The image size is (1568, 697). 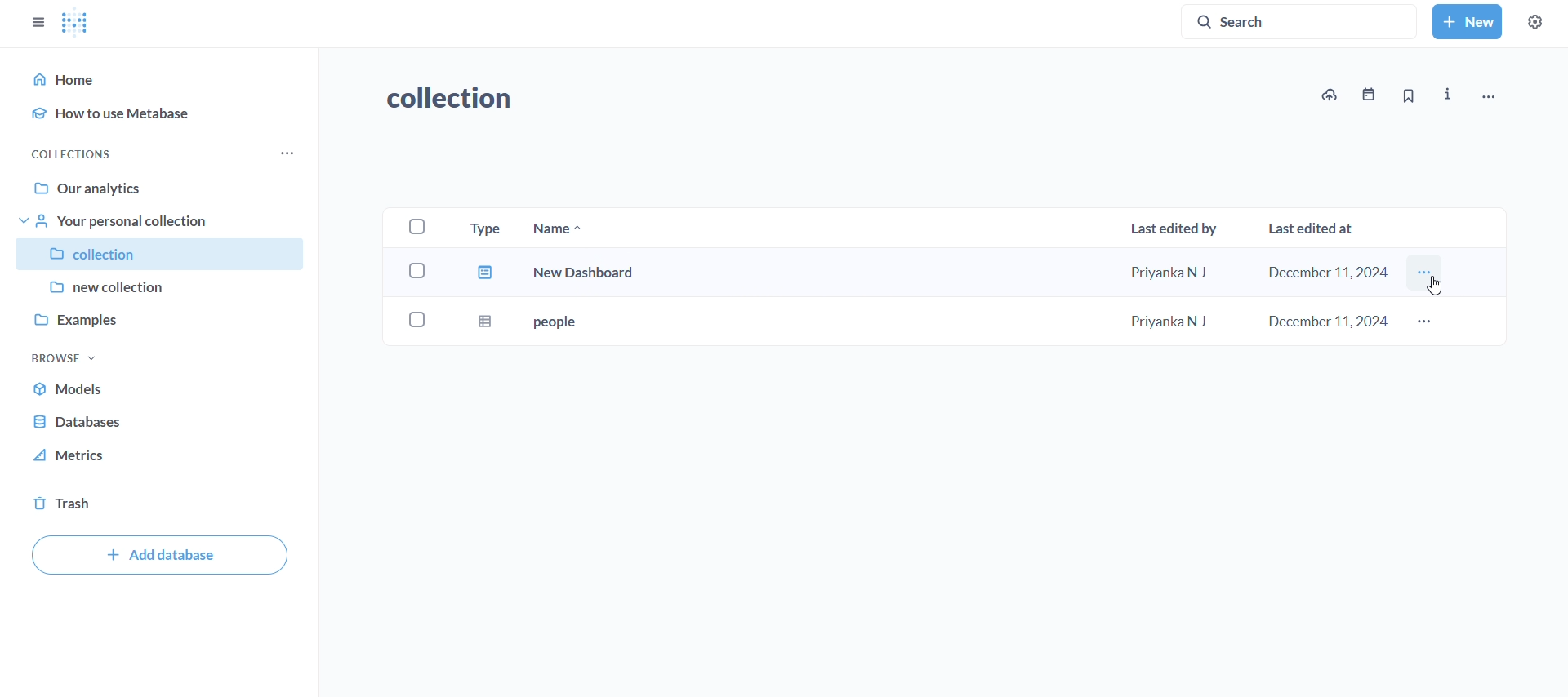 What do you see at coordinates (75, 153) in the screenshot?
I see `collections` at bounding box center [75, 153].